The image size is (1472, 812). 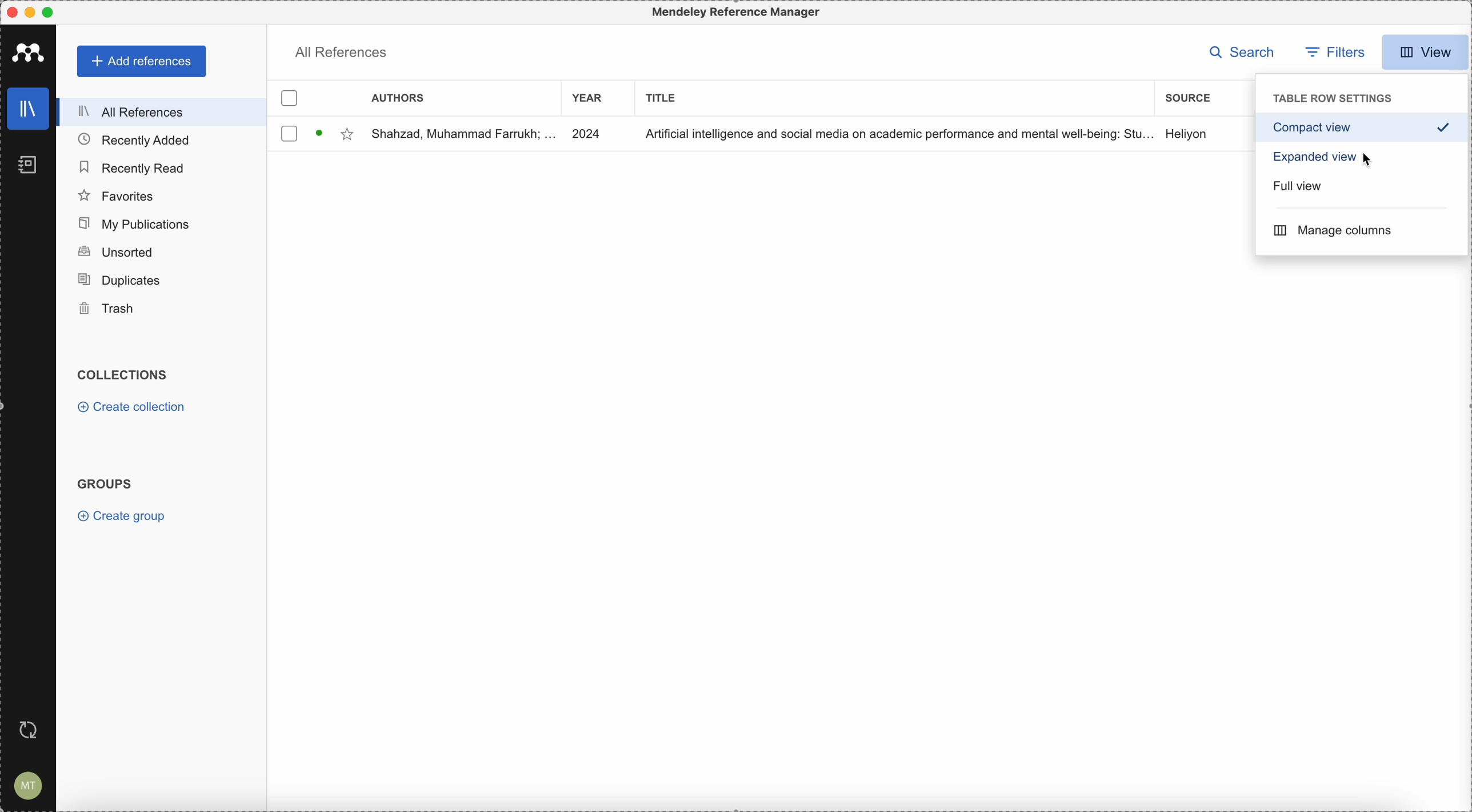 What do you see at coordinates (1426, 50) in the screenshot?
I see `view` at bounding box center [1426, 50].